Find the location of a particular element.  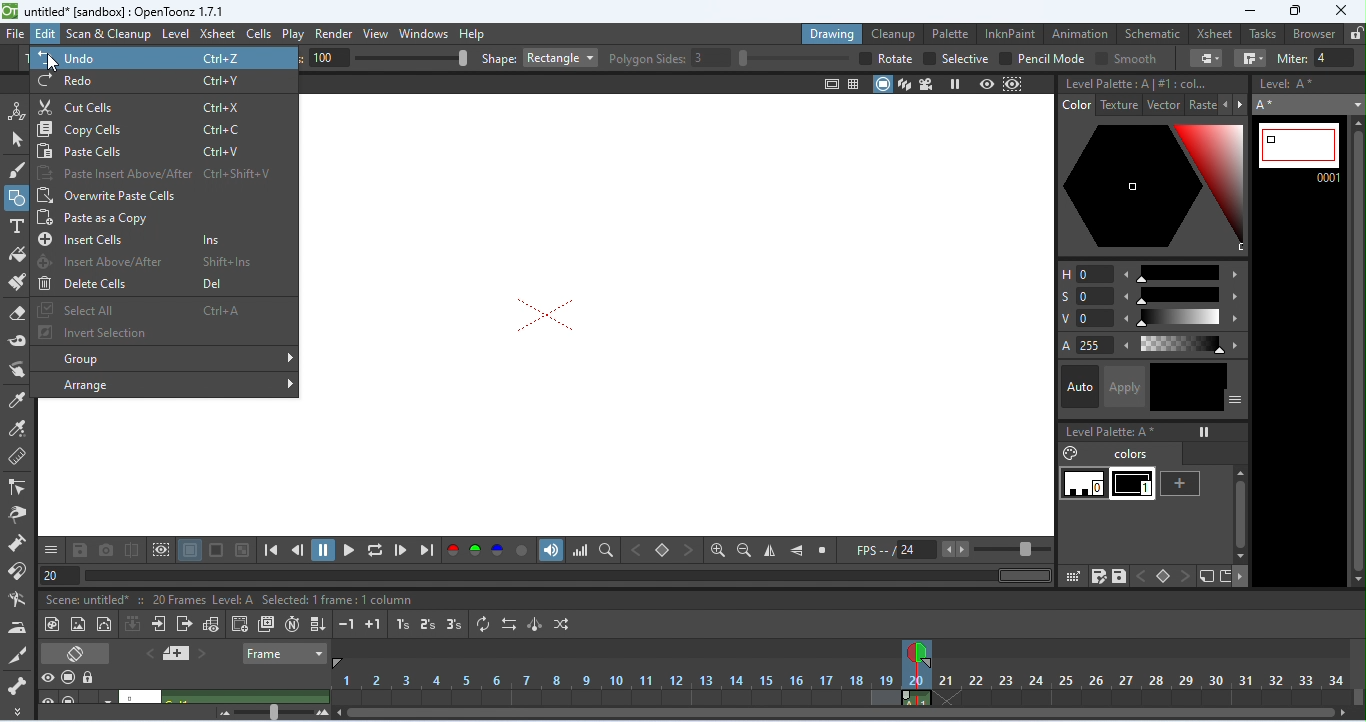

previous key is located at coordinates (634, 551).